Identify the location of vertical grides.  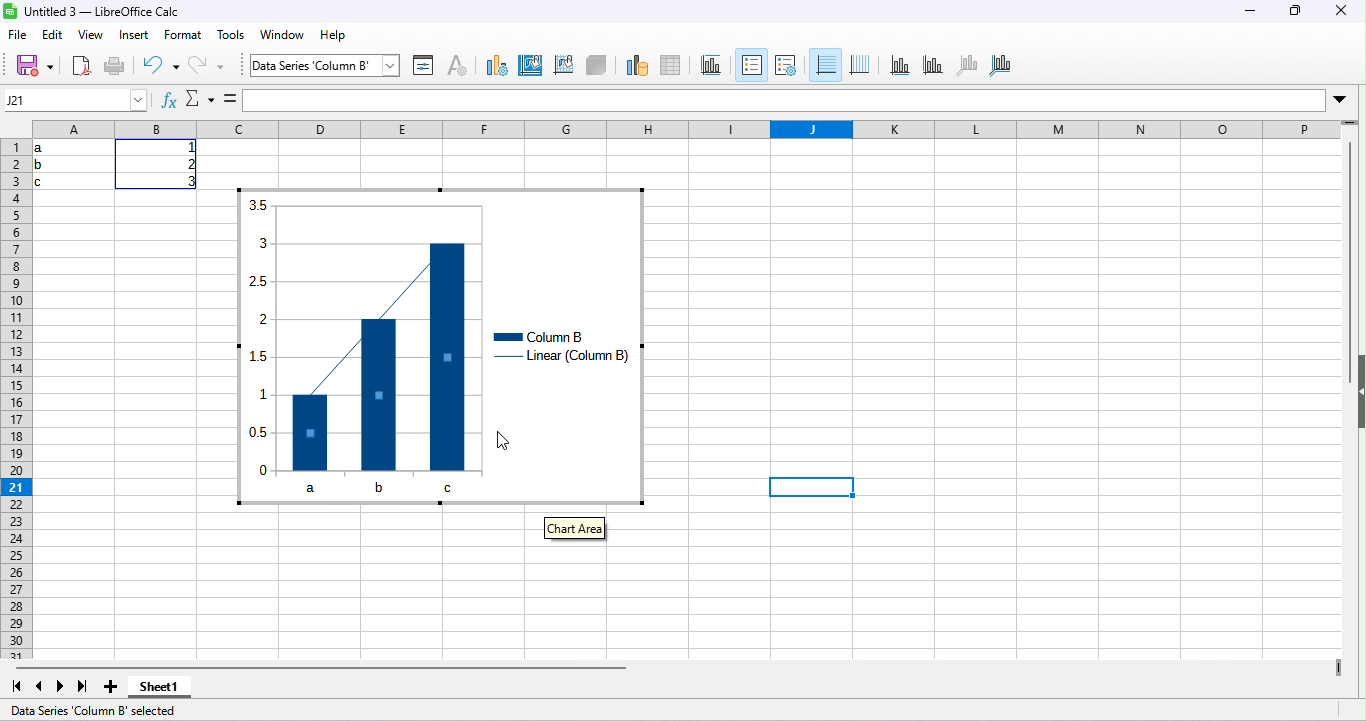
(861, 65).